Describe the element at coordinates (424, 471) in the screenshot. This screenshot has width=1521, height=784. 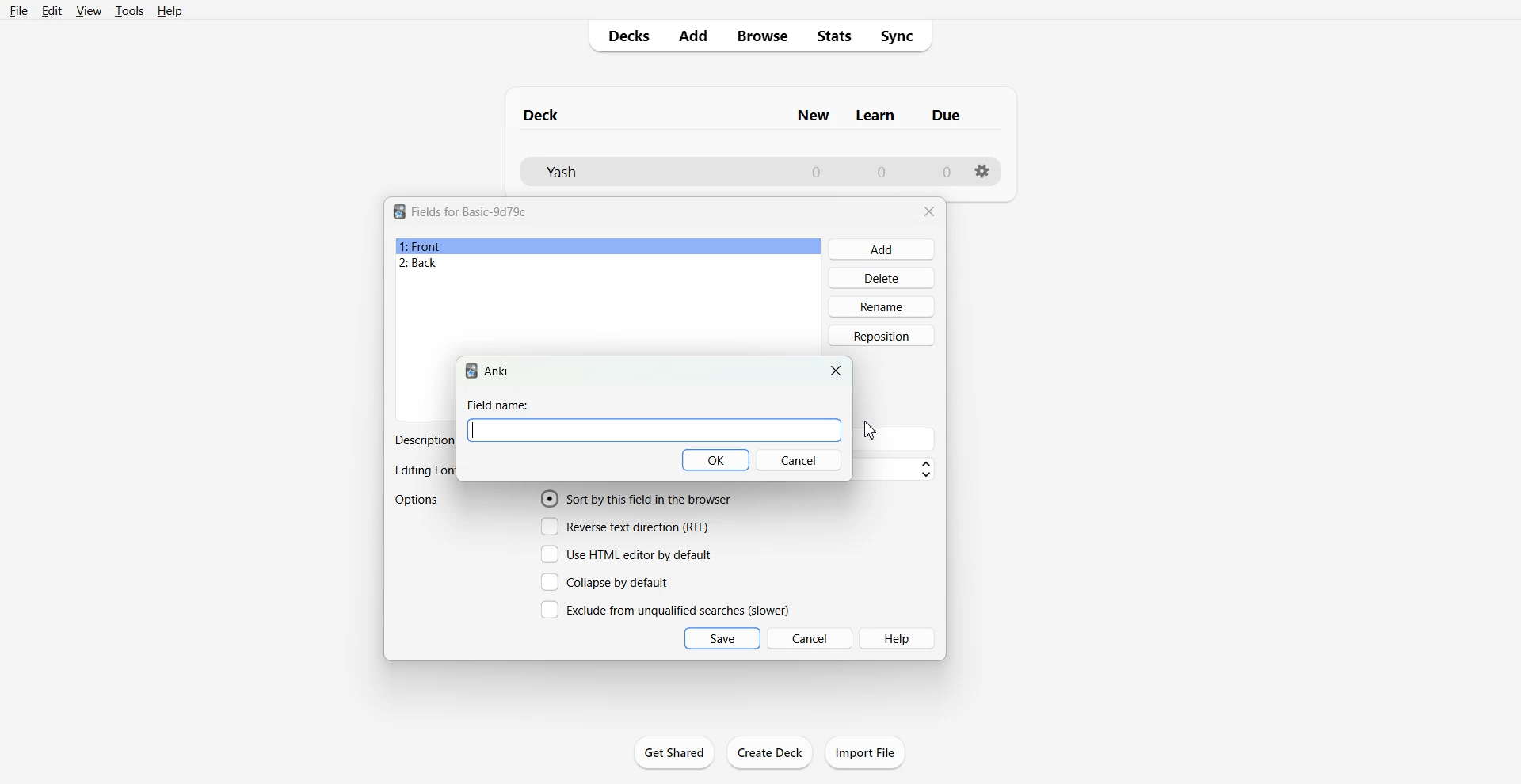
I see `Text` at that location.